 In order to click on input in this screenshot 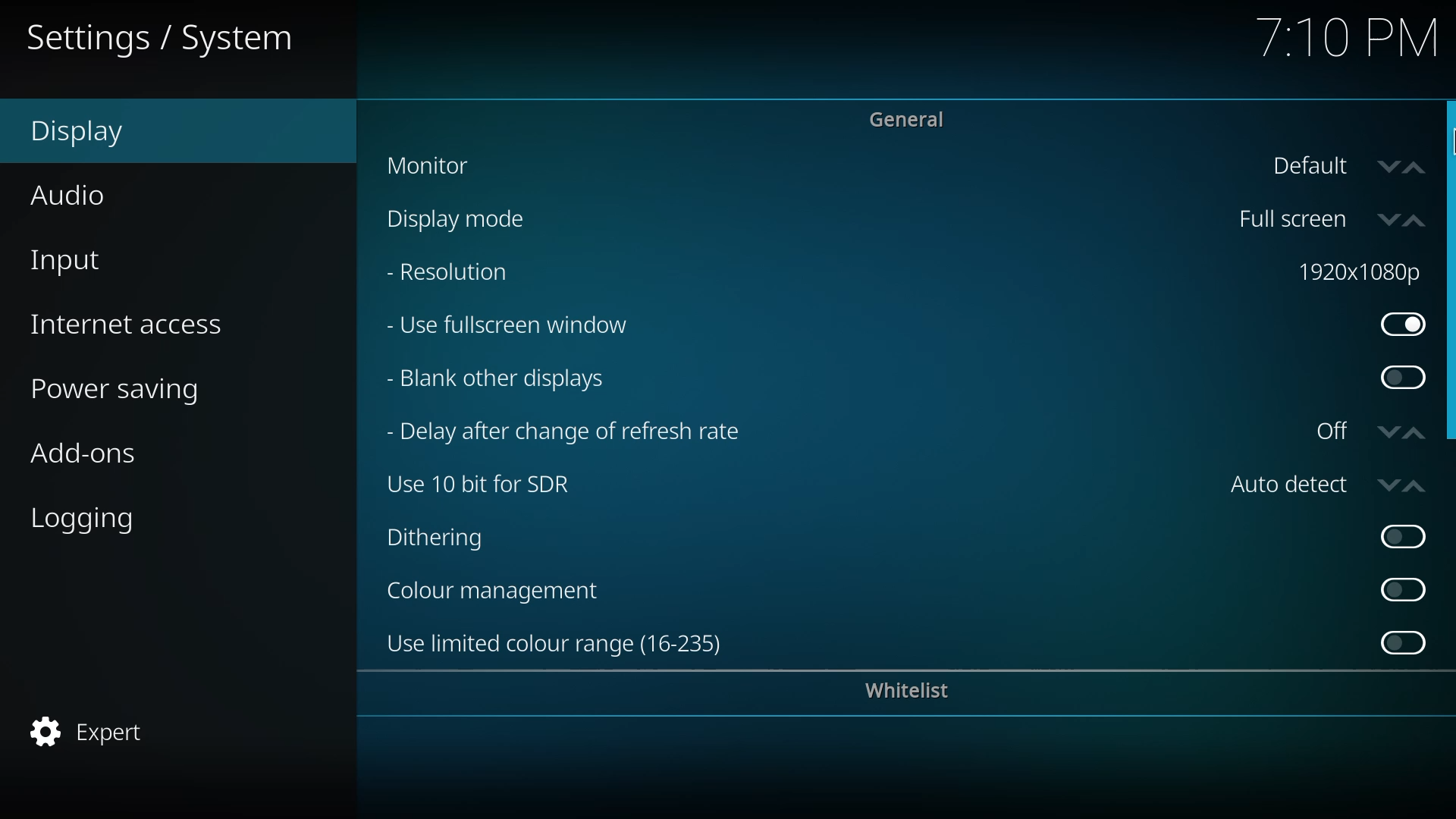, I will do `click(74, 259)`.